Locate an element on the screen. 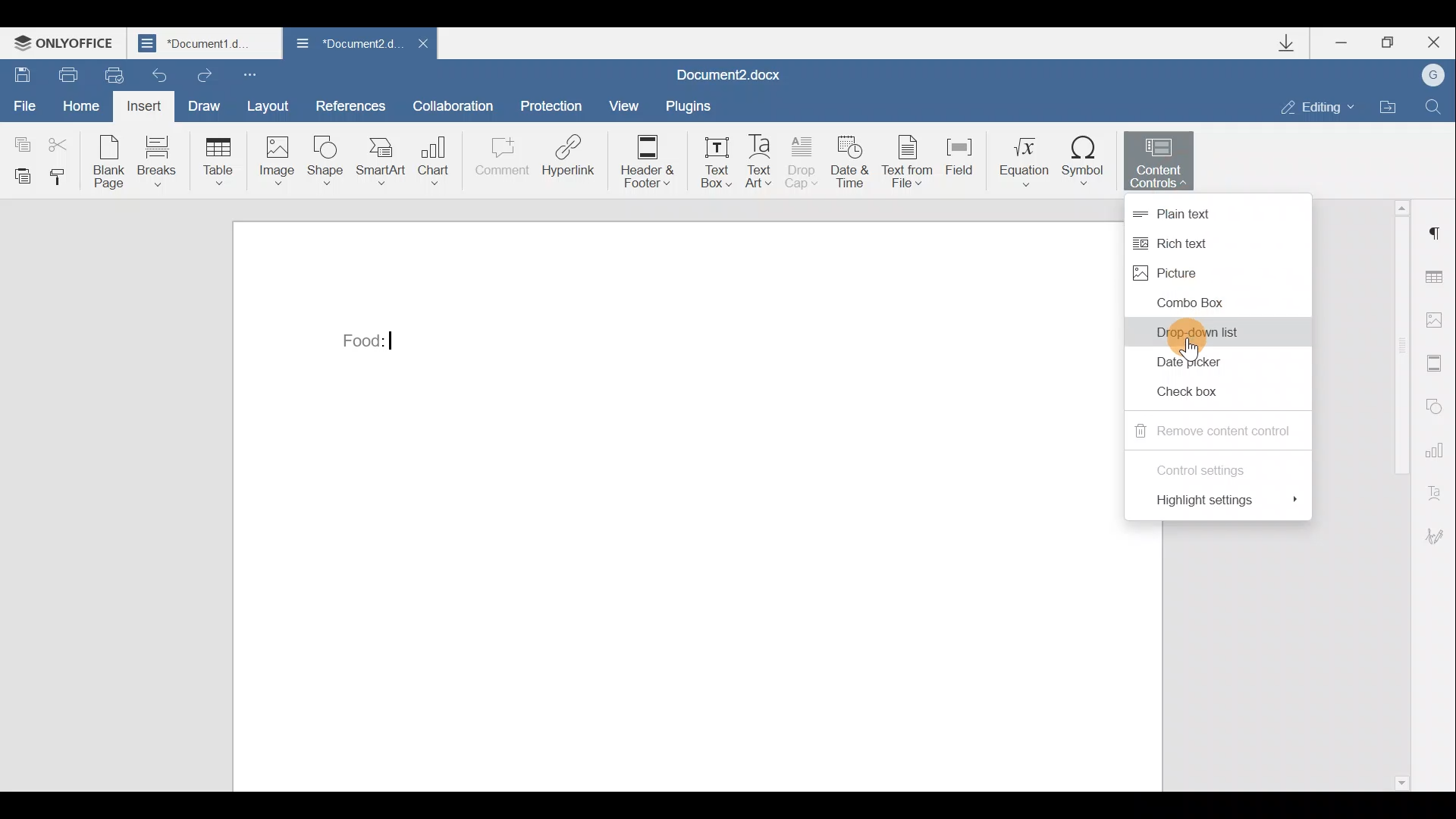 Image resolution: width=1456 pixels, height=819 pixels. Field is located at coordinates (966, 166).